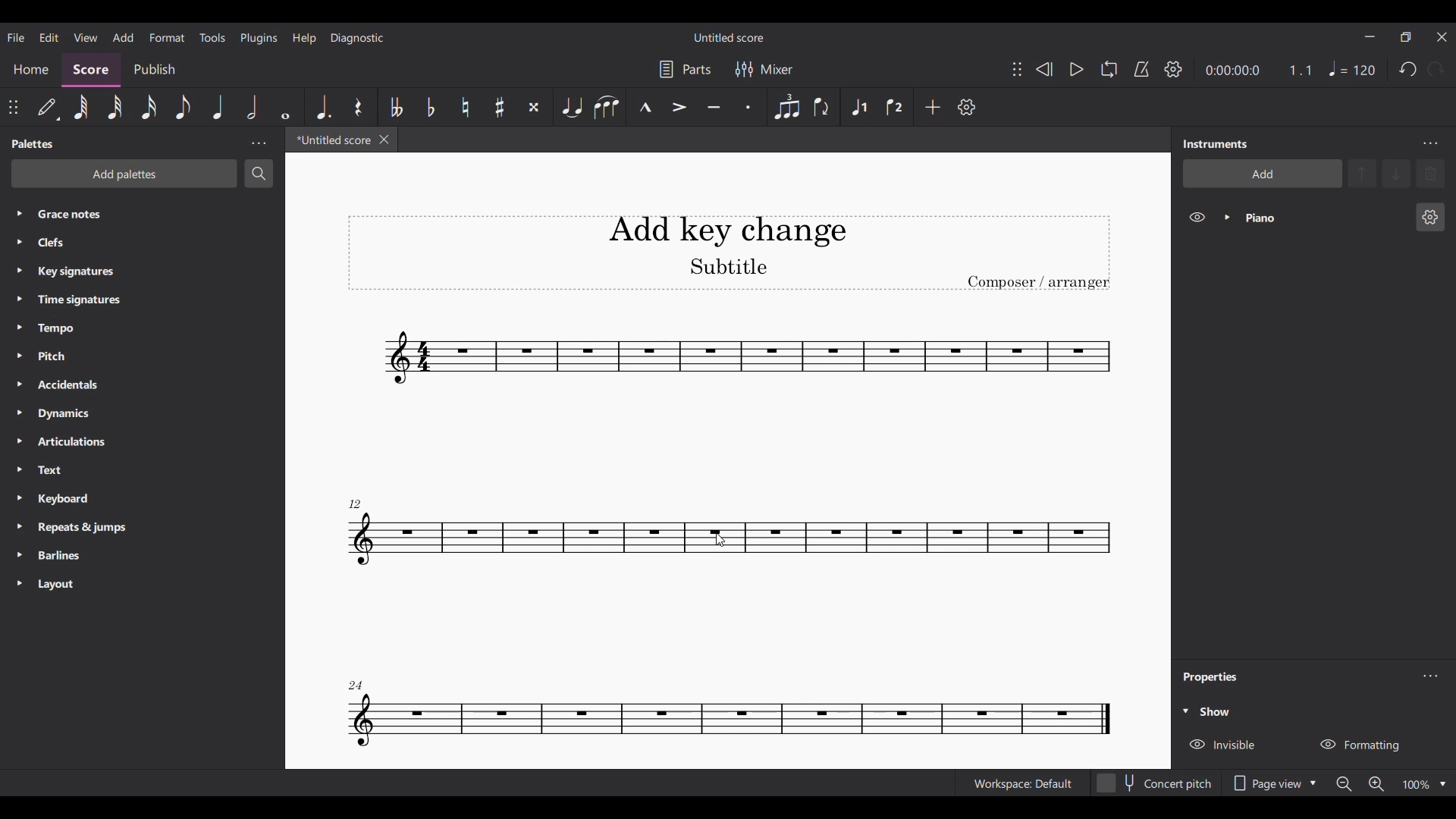 The image size is (1456, 819). I want to click on Palettes listed under all Palettes, so click(147, 398).